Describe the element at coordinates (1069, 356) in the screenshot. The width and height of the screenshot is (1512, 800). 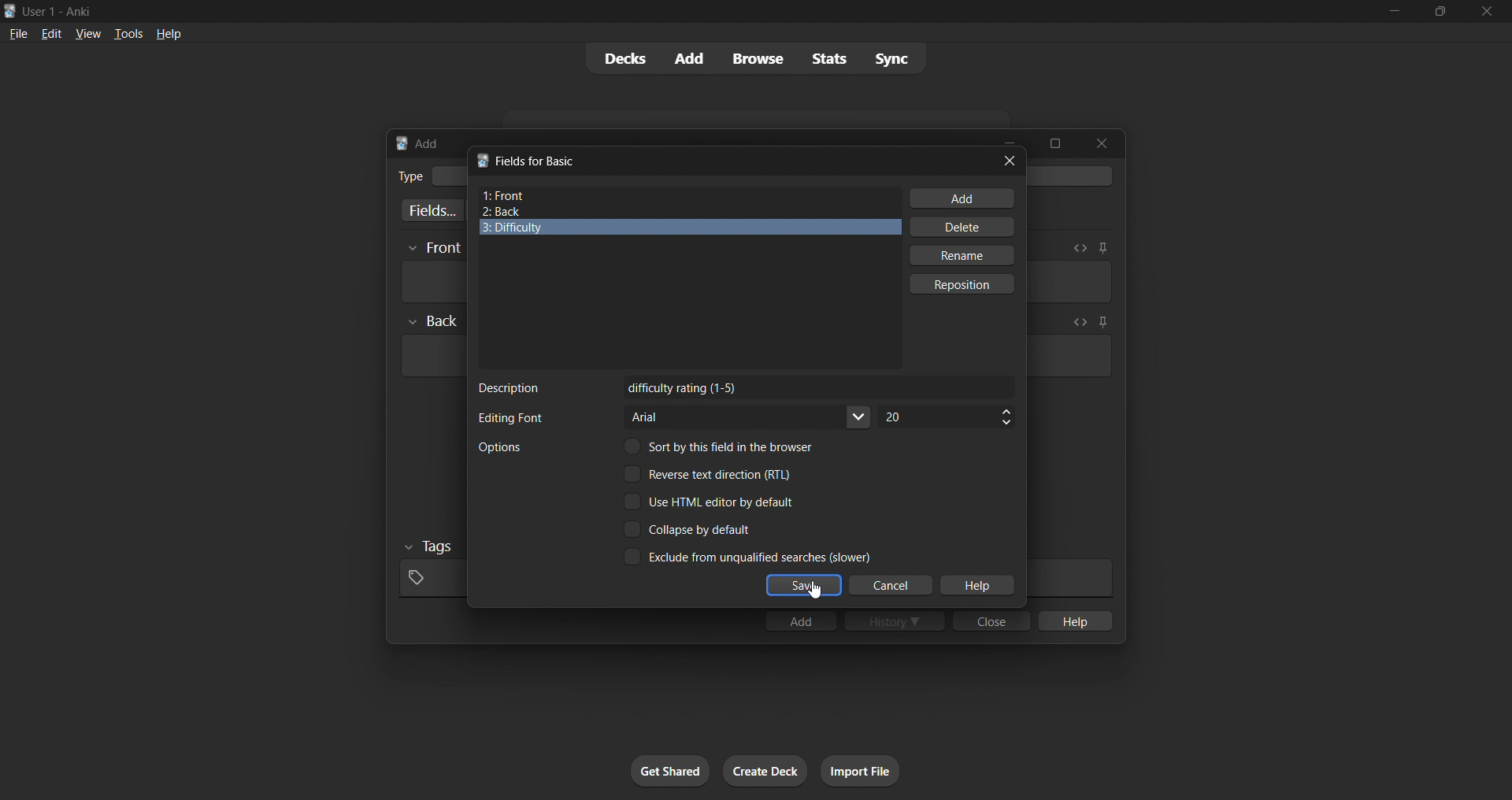
I see `Card back input` at that location.